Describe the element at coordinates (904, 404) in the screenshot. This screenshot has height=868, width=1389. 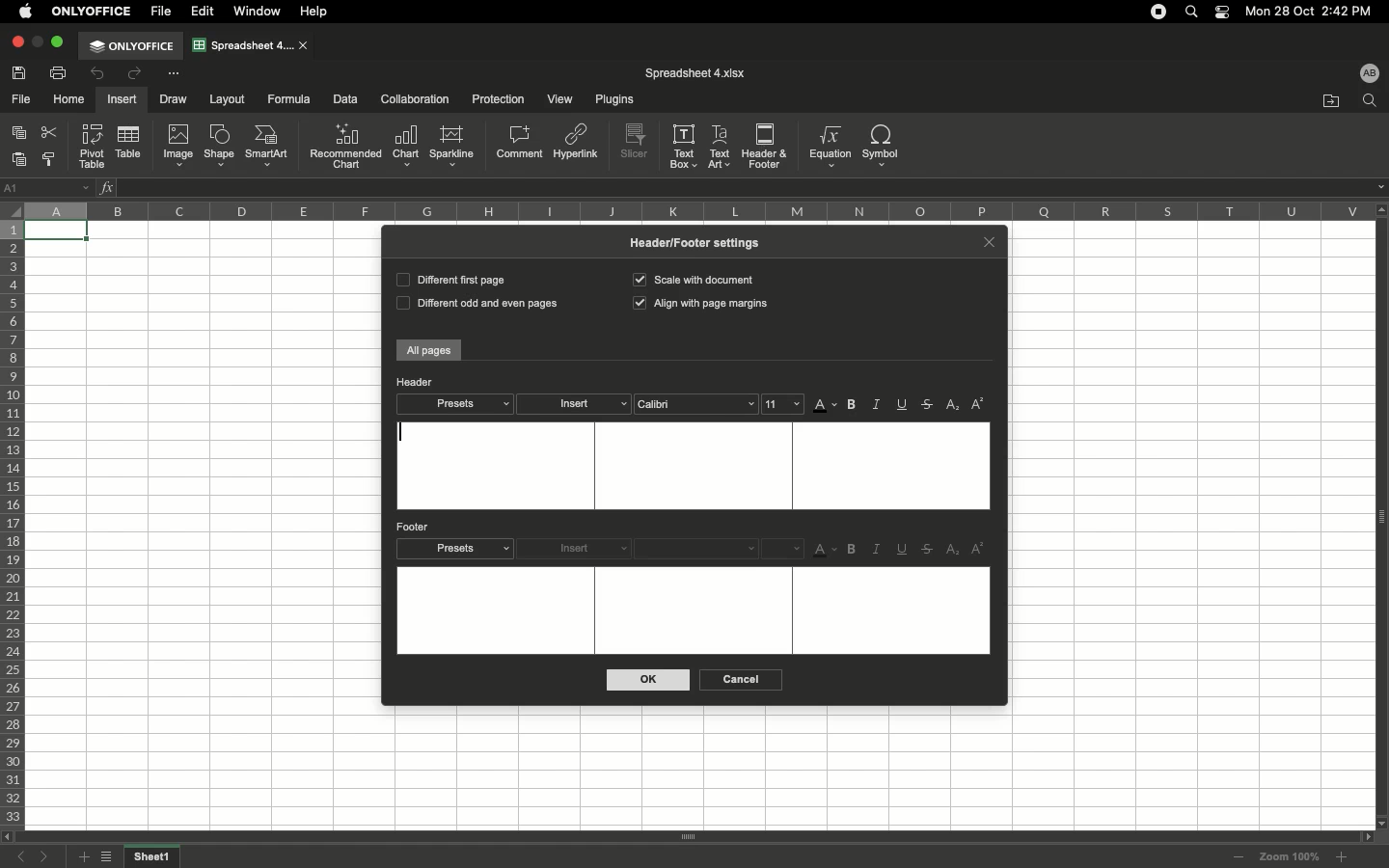
I see `Underline` at that location.